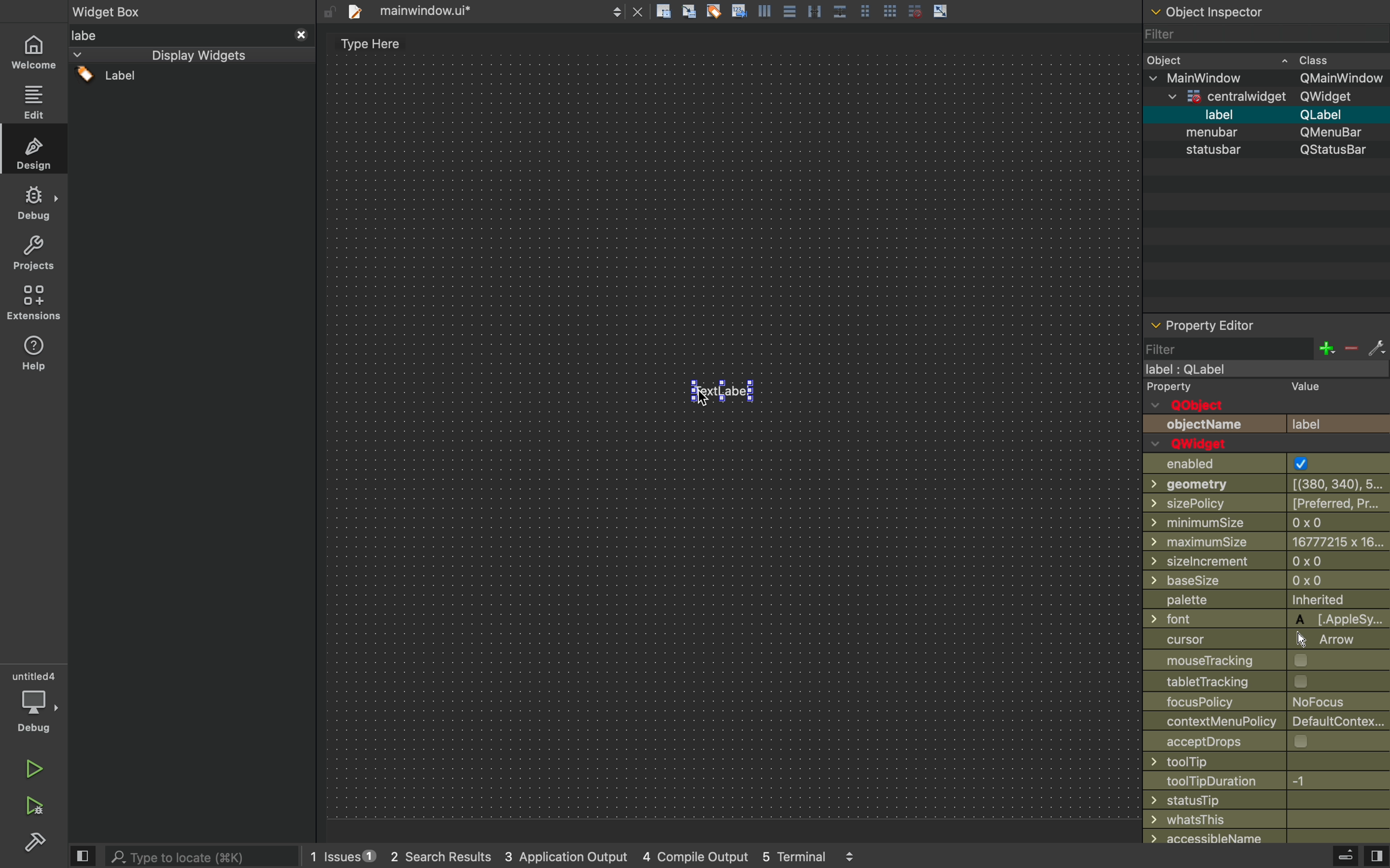 The width and height of the screenshot is (1390, 868). Describe the element at coordinates (690, 12) in the screenshot. I see `icon` at that location.